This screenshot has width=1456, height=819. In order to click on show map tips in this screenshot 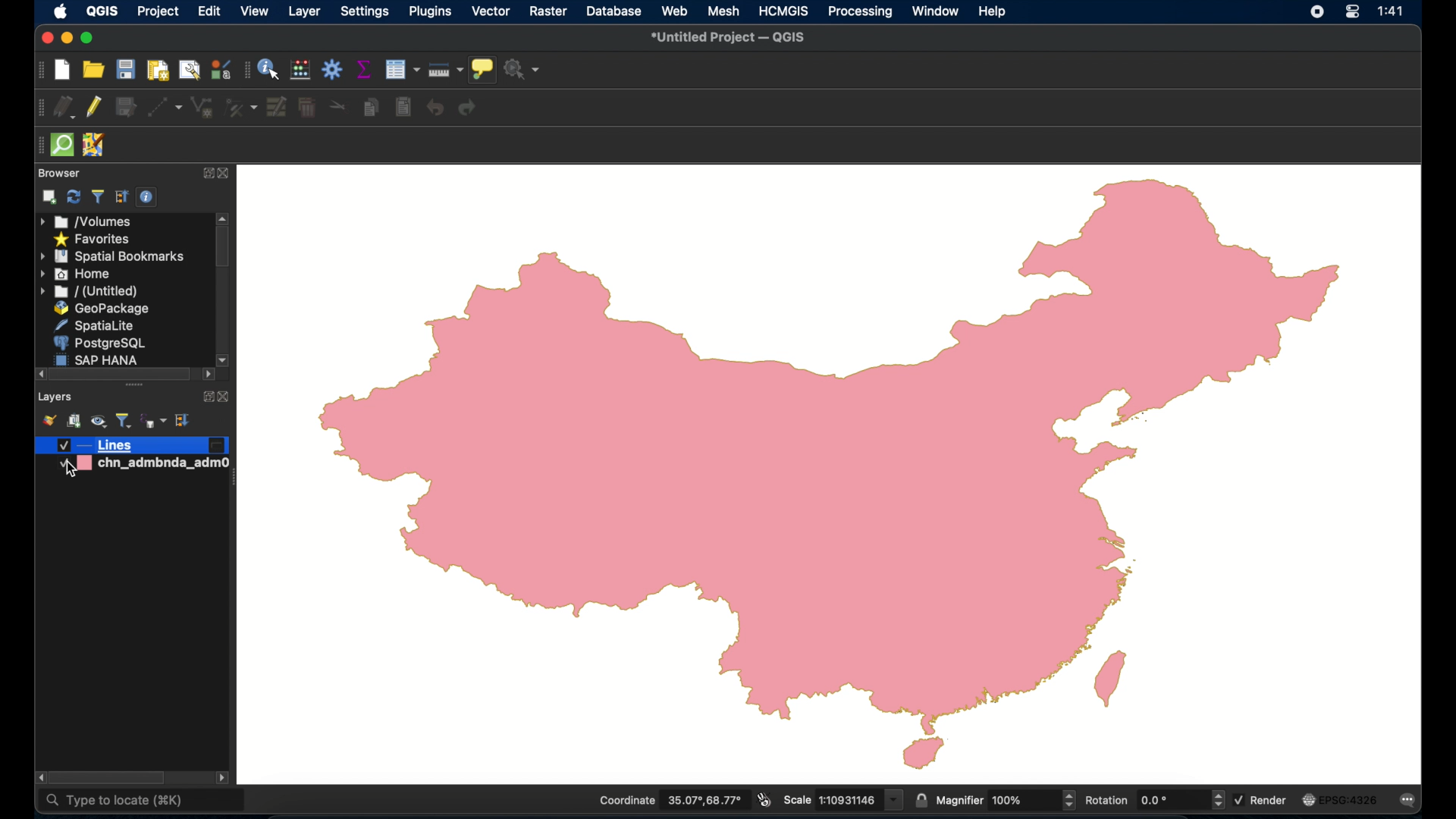, I will do `click(483, 70)`.